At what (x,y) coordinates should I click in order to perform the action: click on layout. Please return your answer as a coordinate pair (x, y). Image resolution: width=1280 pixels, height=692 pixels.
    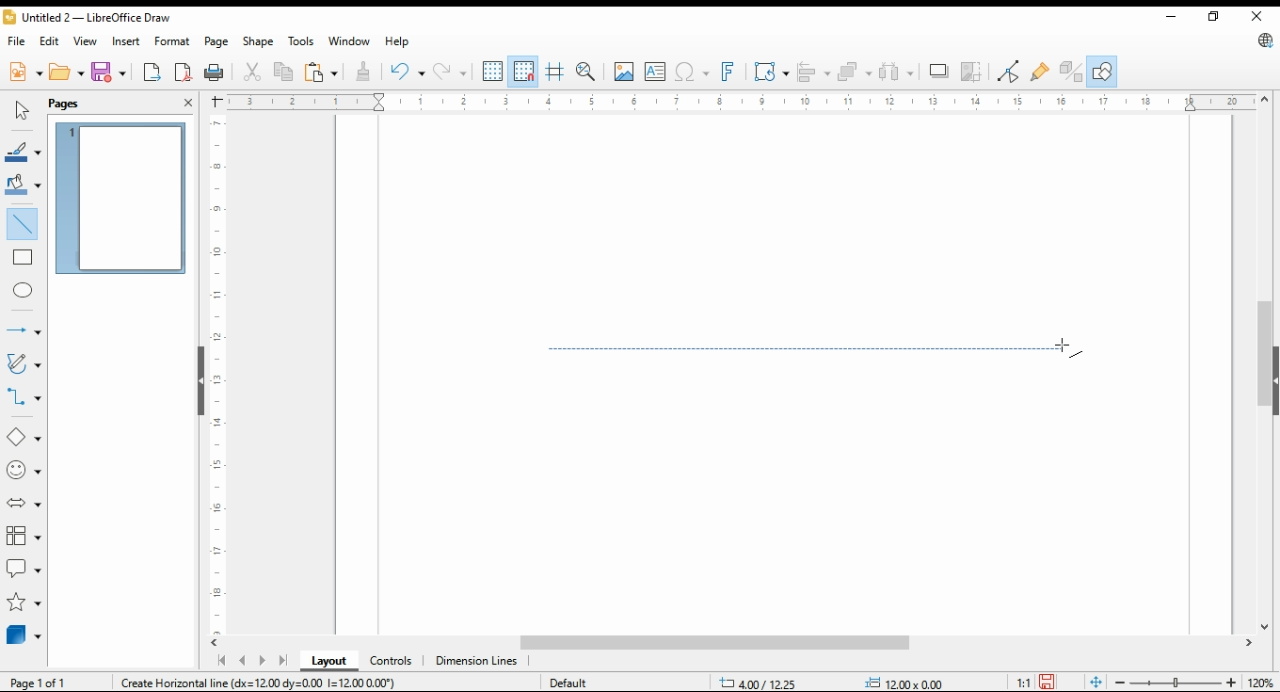
    Looking at the image, I should click on (330, 661).